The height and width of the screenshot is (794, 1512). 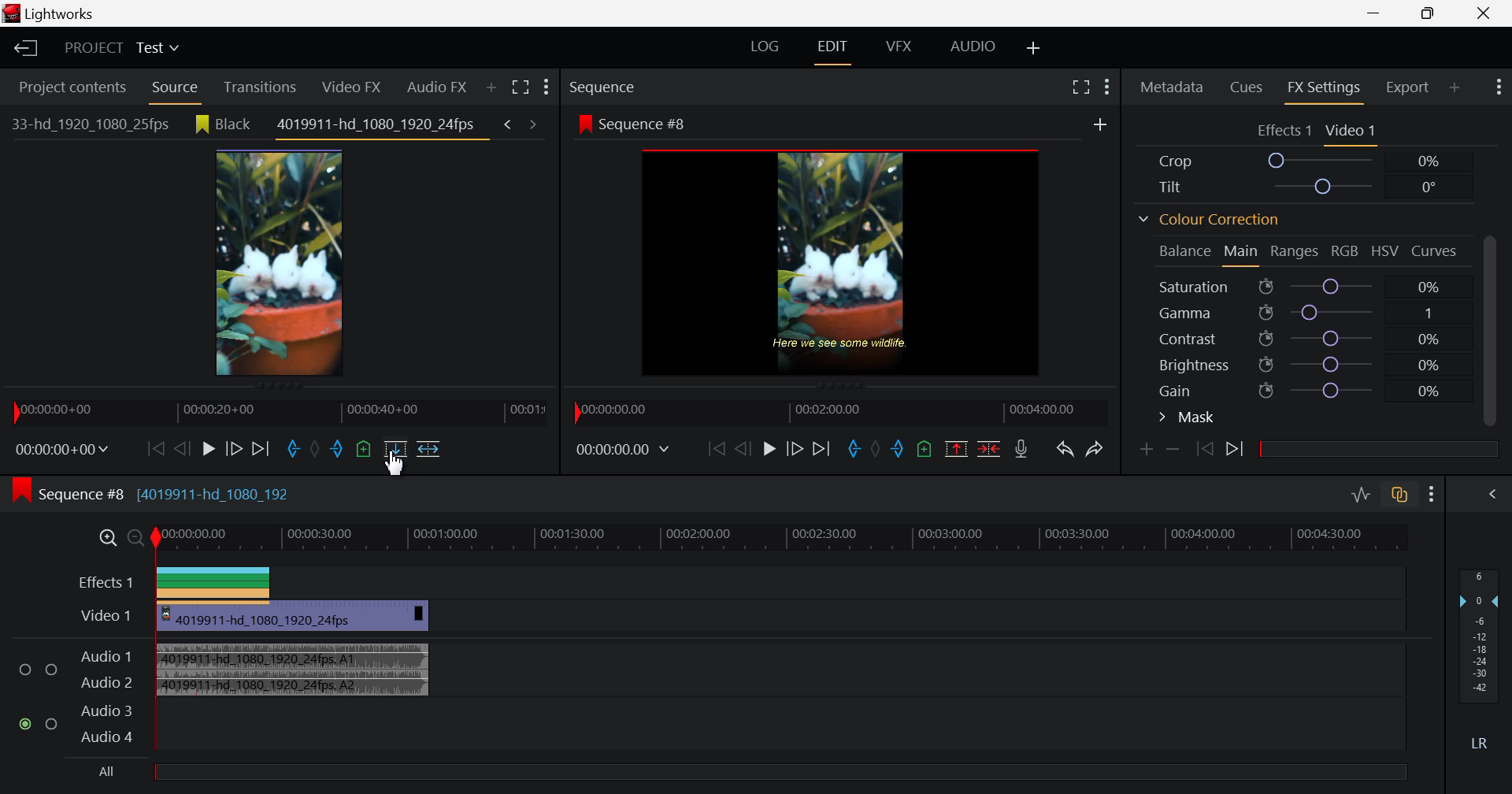 What do you see at coordinates (1171, 86) in the screenshot?
I see `Metadata` at bounding box center [1171, 86].